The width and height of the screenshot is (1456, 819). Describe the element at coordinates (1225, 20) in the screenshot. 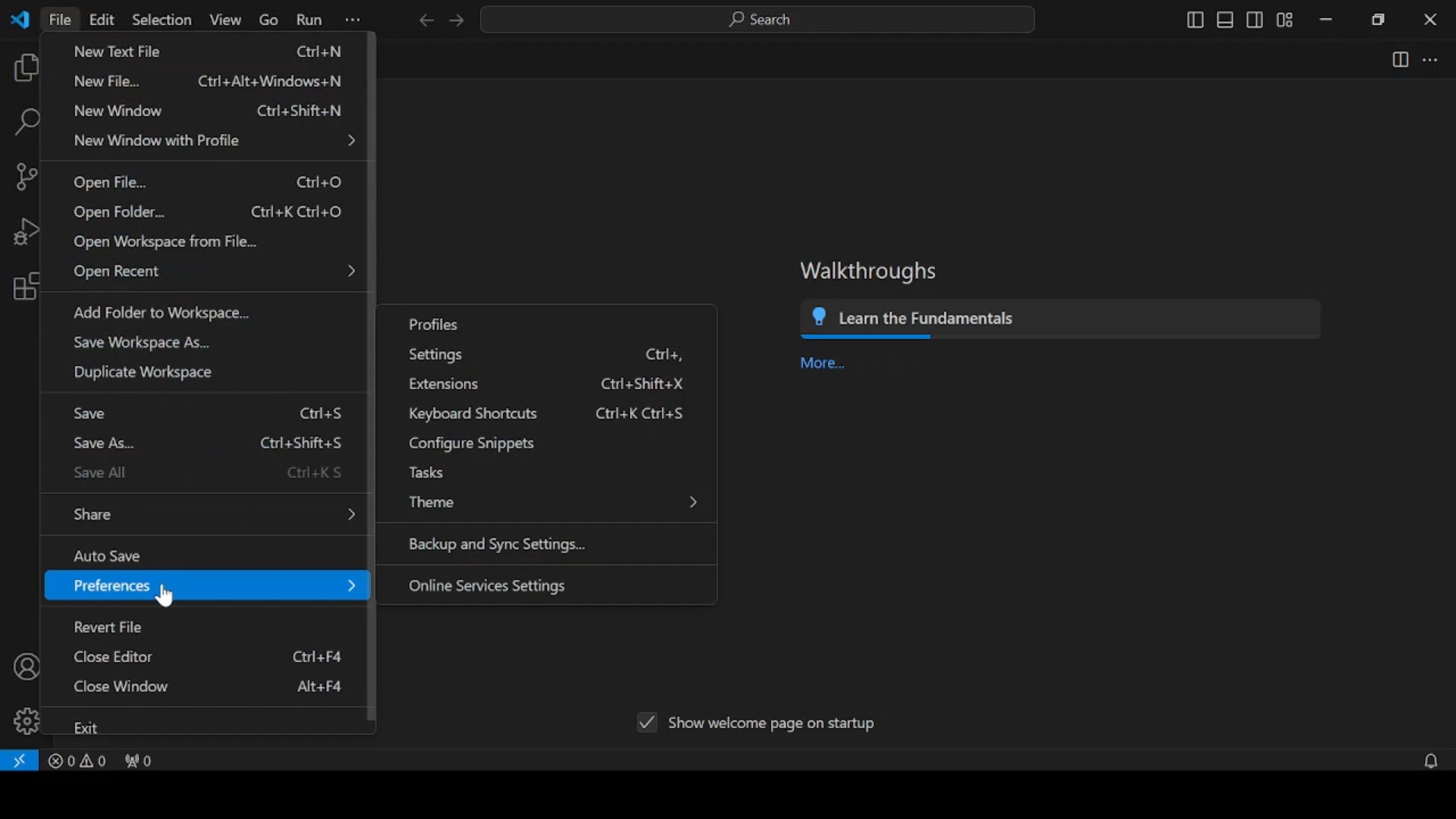

I see `toggle panel` at that location.